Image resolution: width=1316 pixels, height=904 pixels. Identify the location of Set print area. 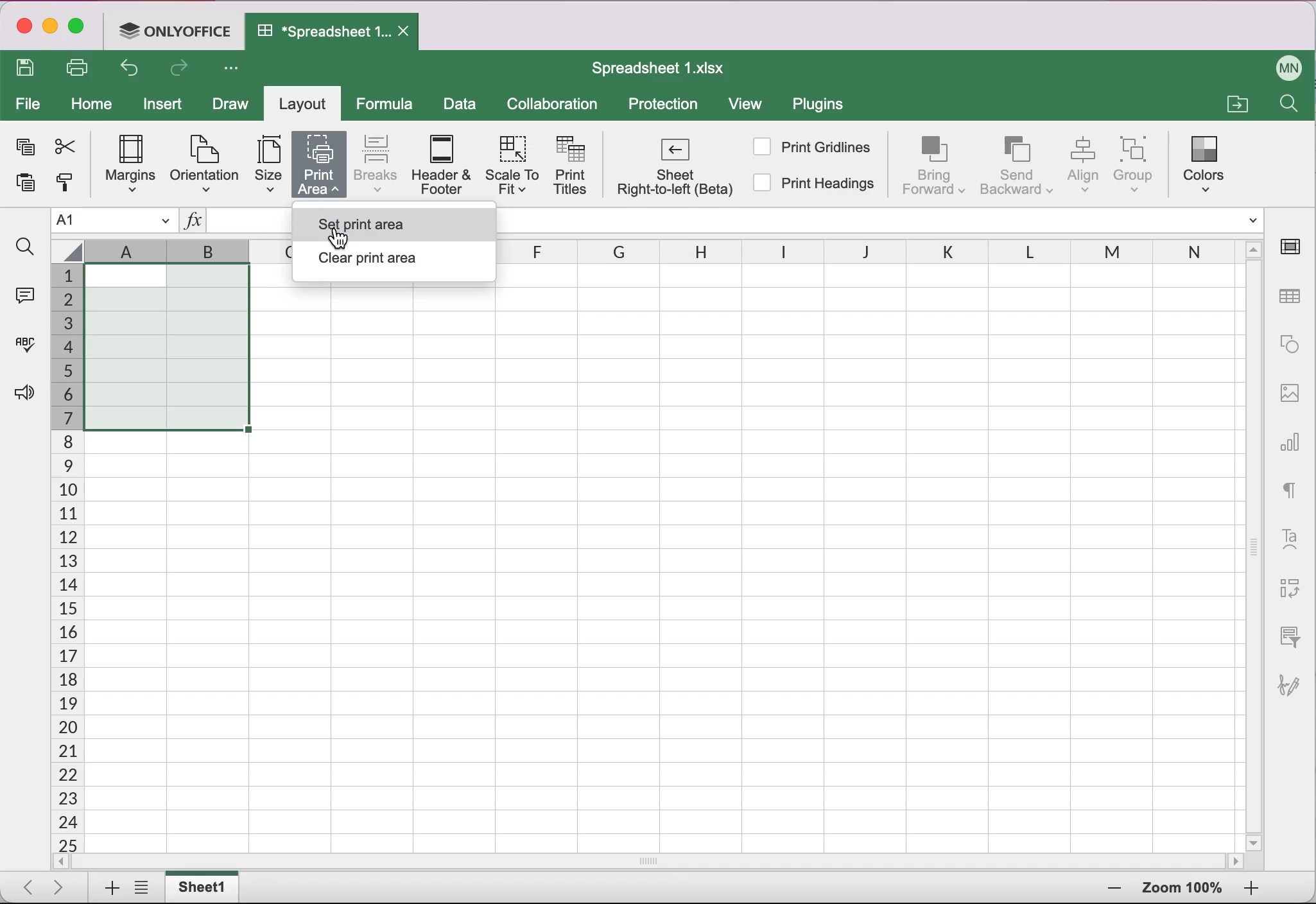
(387, 220).